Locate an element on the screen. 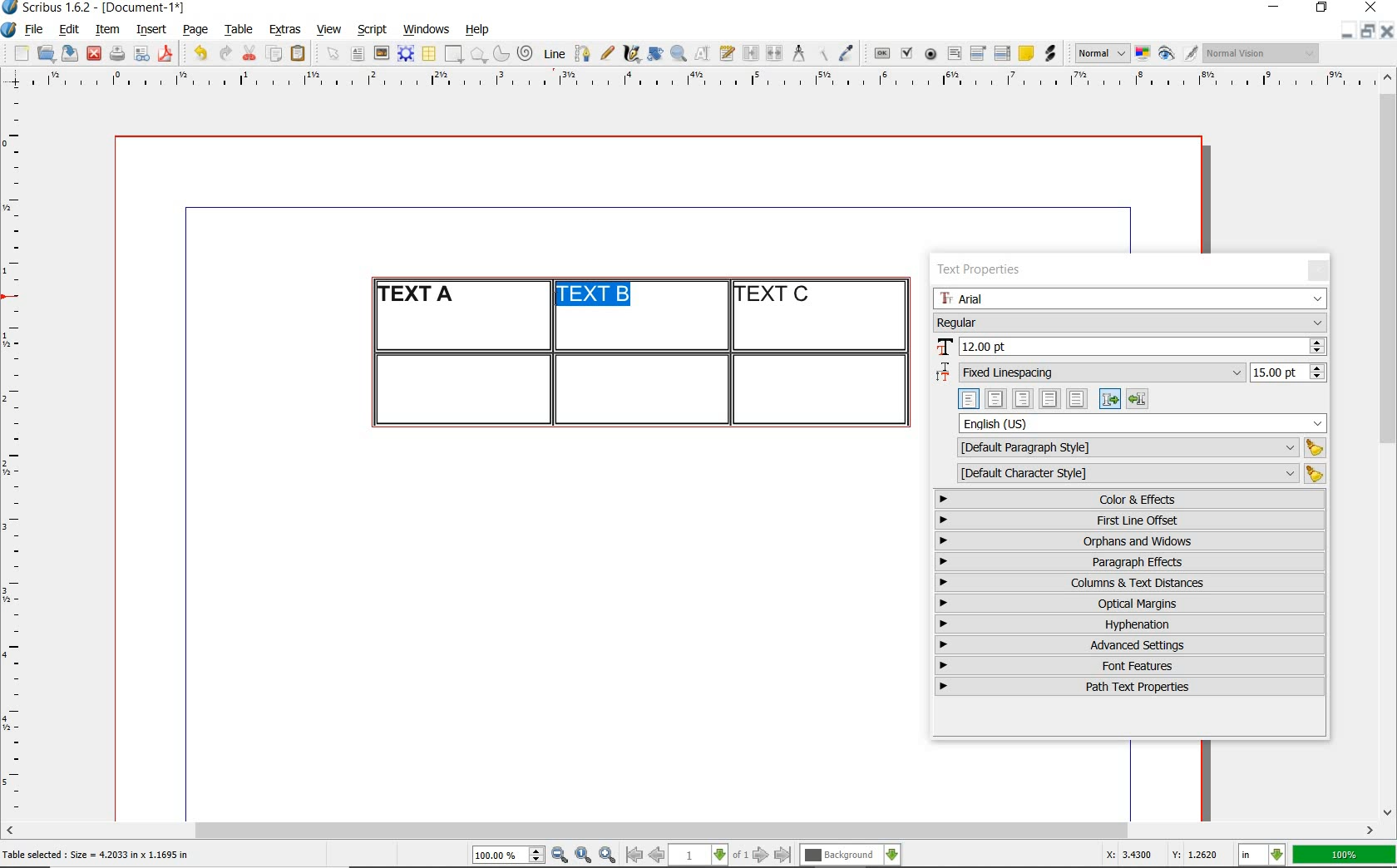 Image resolution: width=1397 pixels, height=868 pixels. font size is located at coordinates (1130, 348).